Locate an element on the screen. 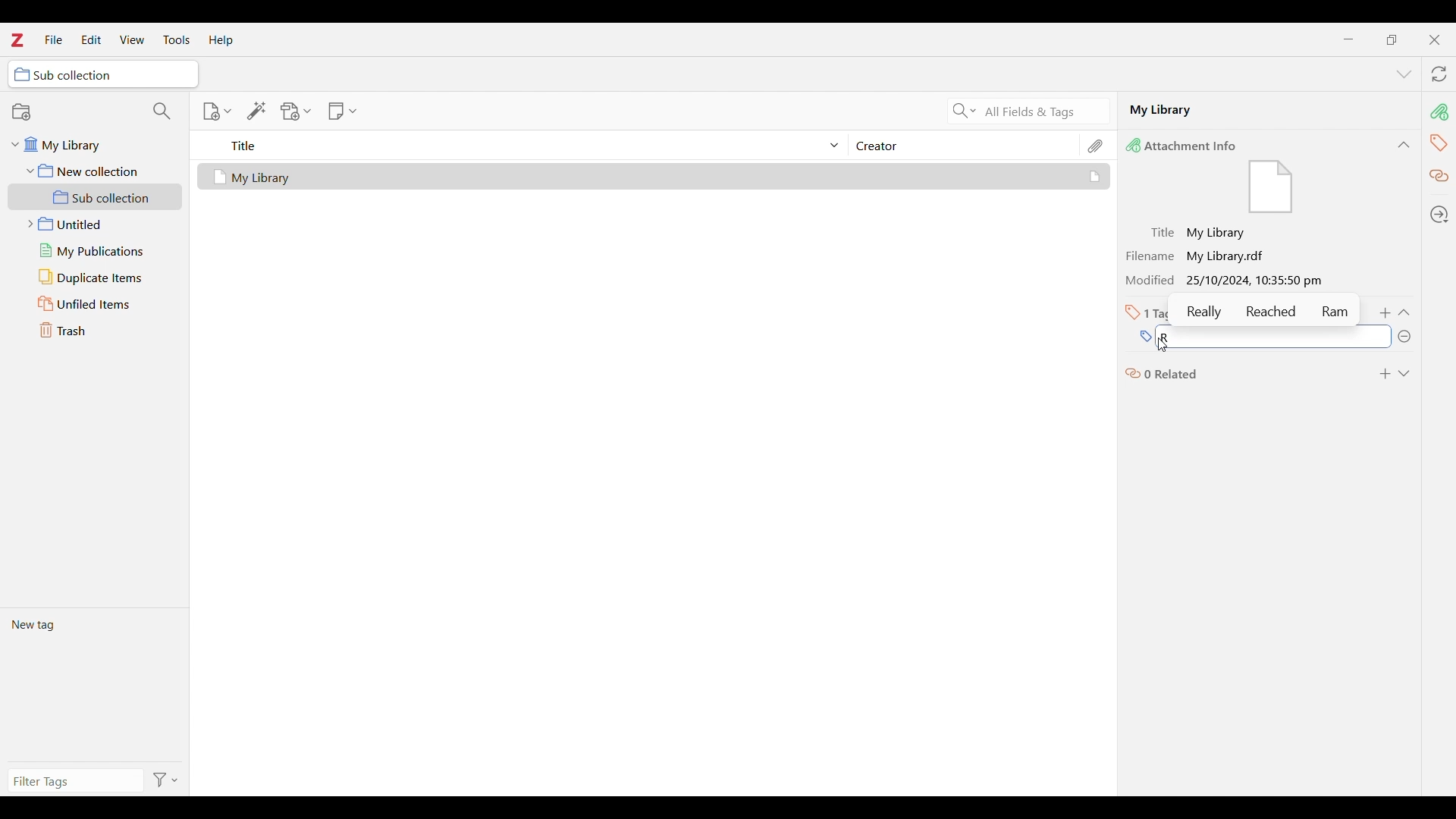 The image size is (1456, 819). pin is located at coordinates (1439, 111).